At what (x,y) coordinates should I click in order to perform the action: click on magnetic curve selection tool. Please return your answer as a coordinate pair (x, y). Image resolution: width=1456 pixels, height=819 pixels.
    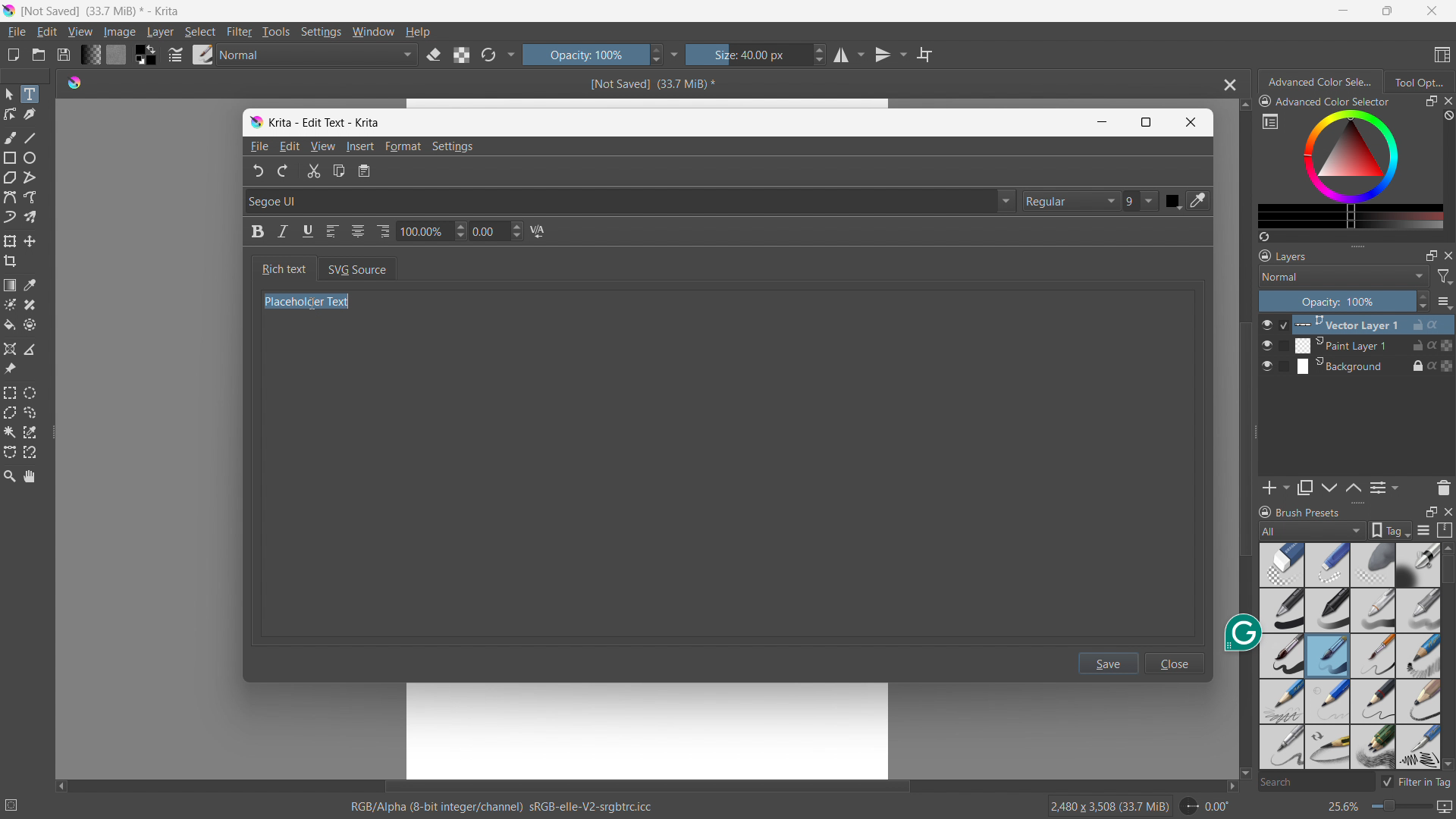
    Looking at the image, I should click on (30, 453).